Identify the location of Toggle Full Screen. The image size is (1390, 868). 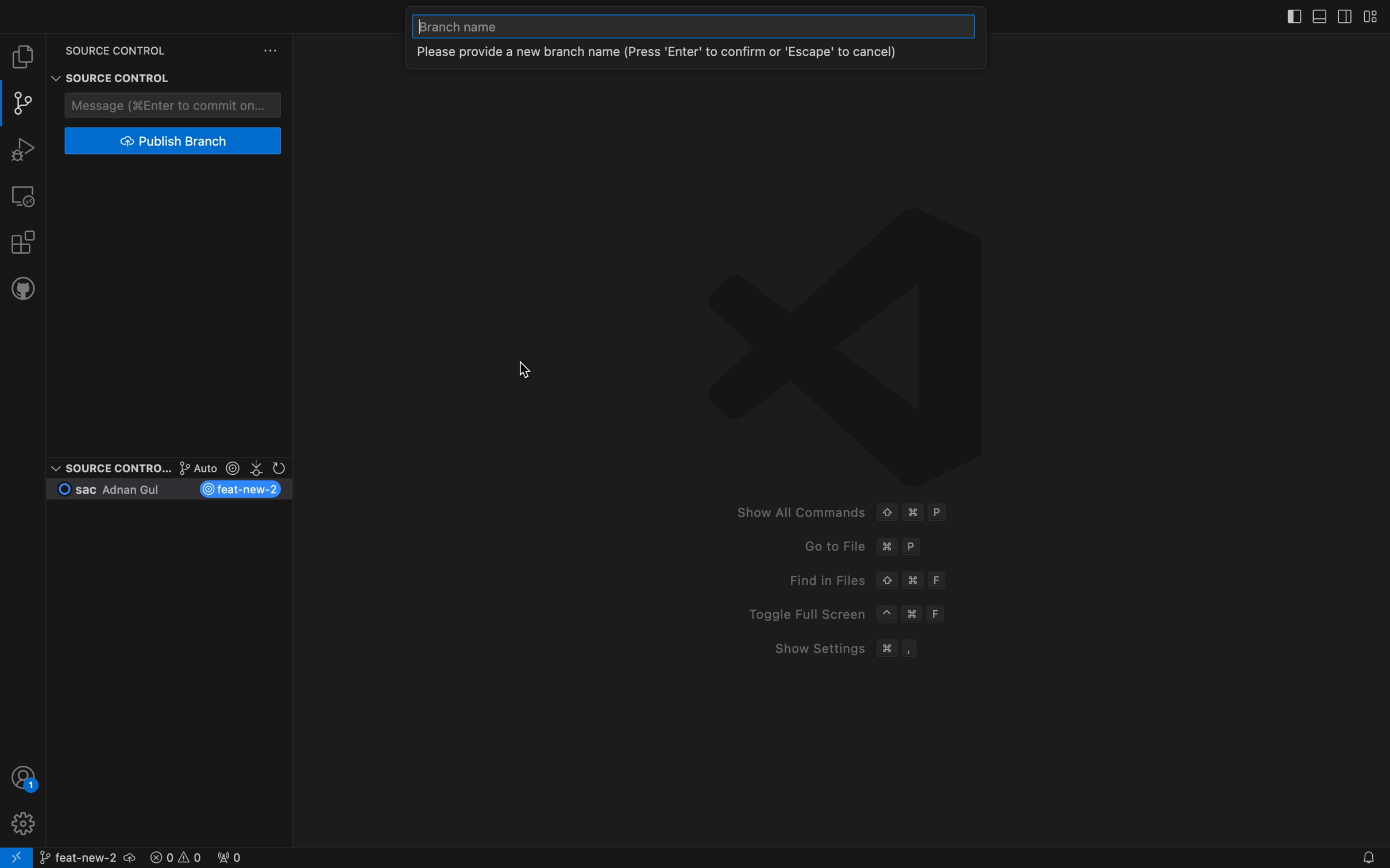
(799, 614).